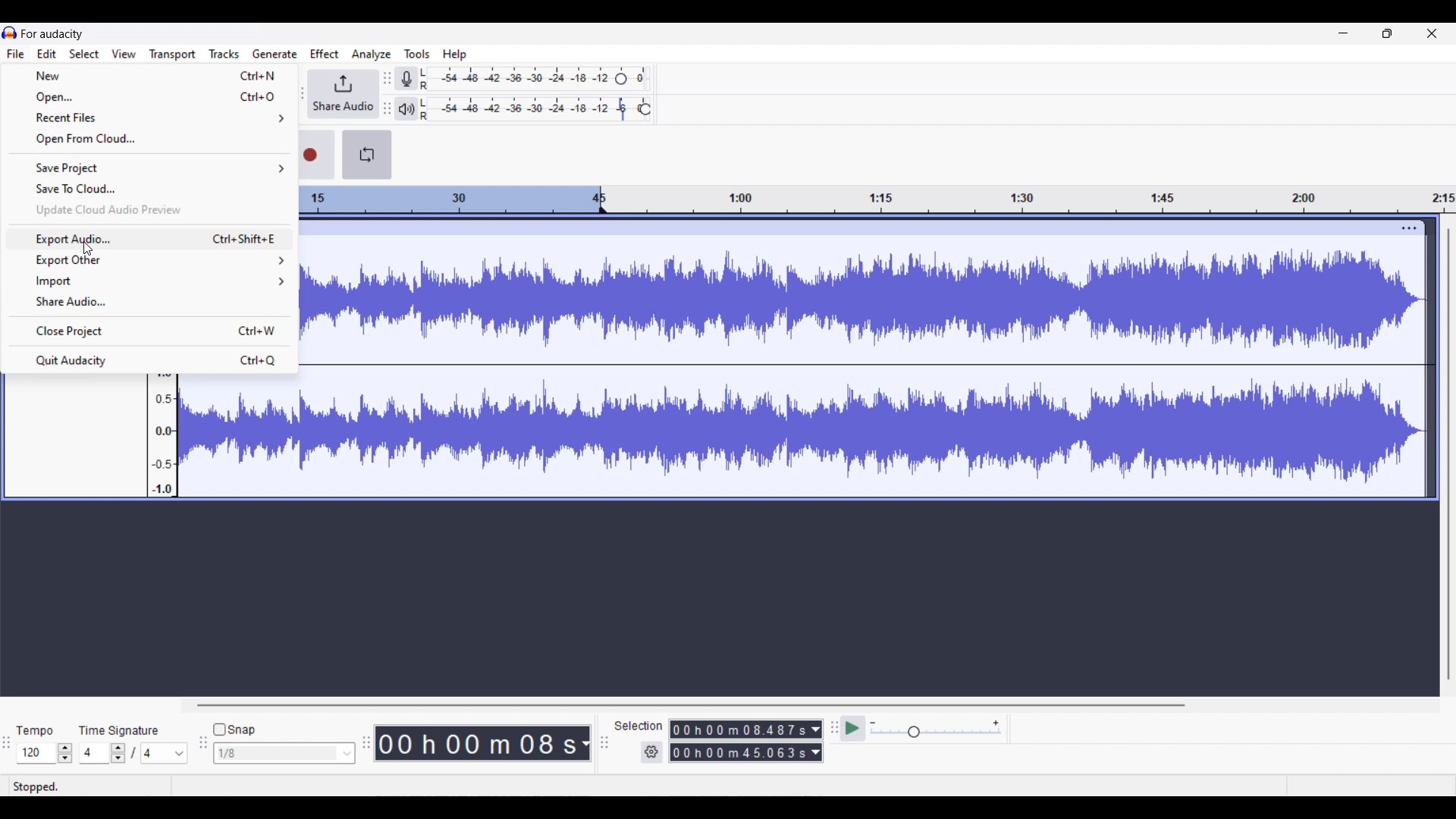 The height and width of the screenshot is (819, 1456). I want to click on Scale to measure length of track, so click(877, 199).